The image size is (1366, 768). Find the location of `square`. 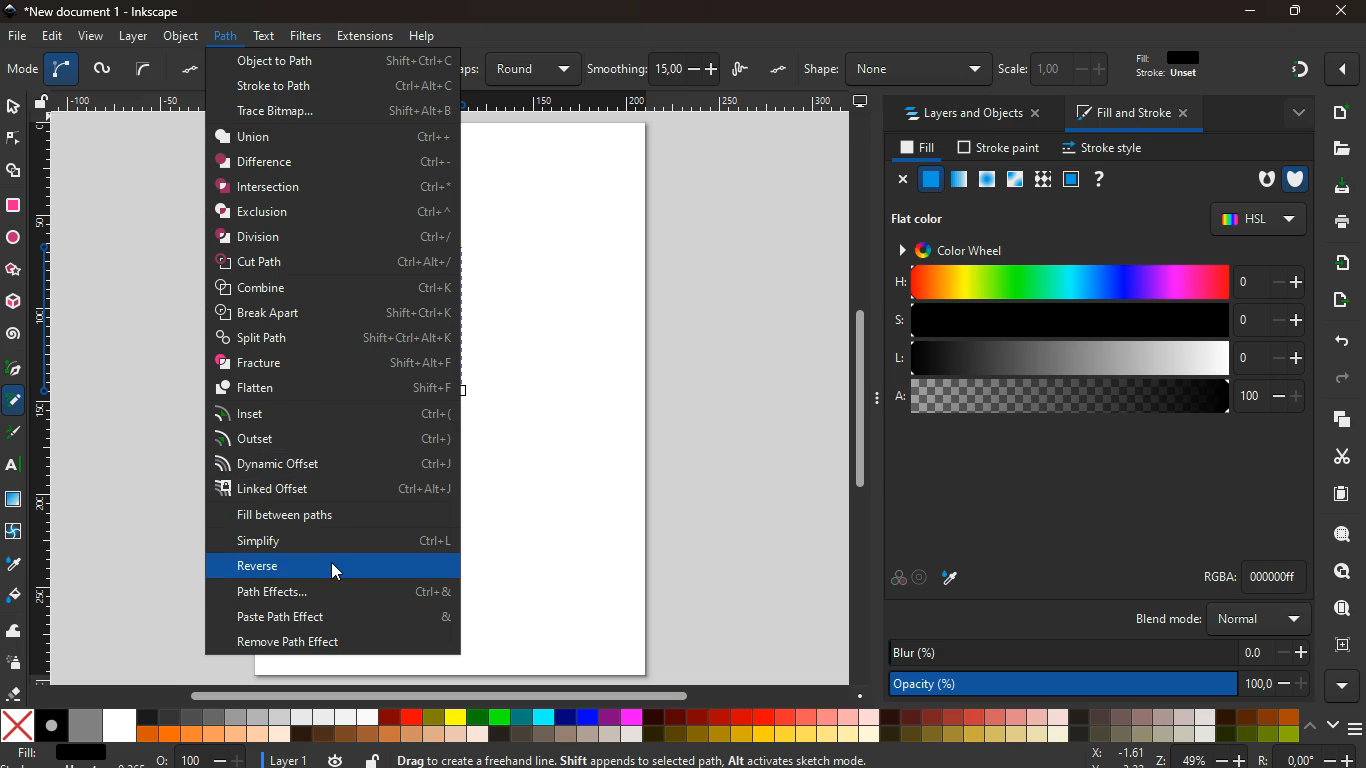

square is located at coordinates (13, 207).